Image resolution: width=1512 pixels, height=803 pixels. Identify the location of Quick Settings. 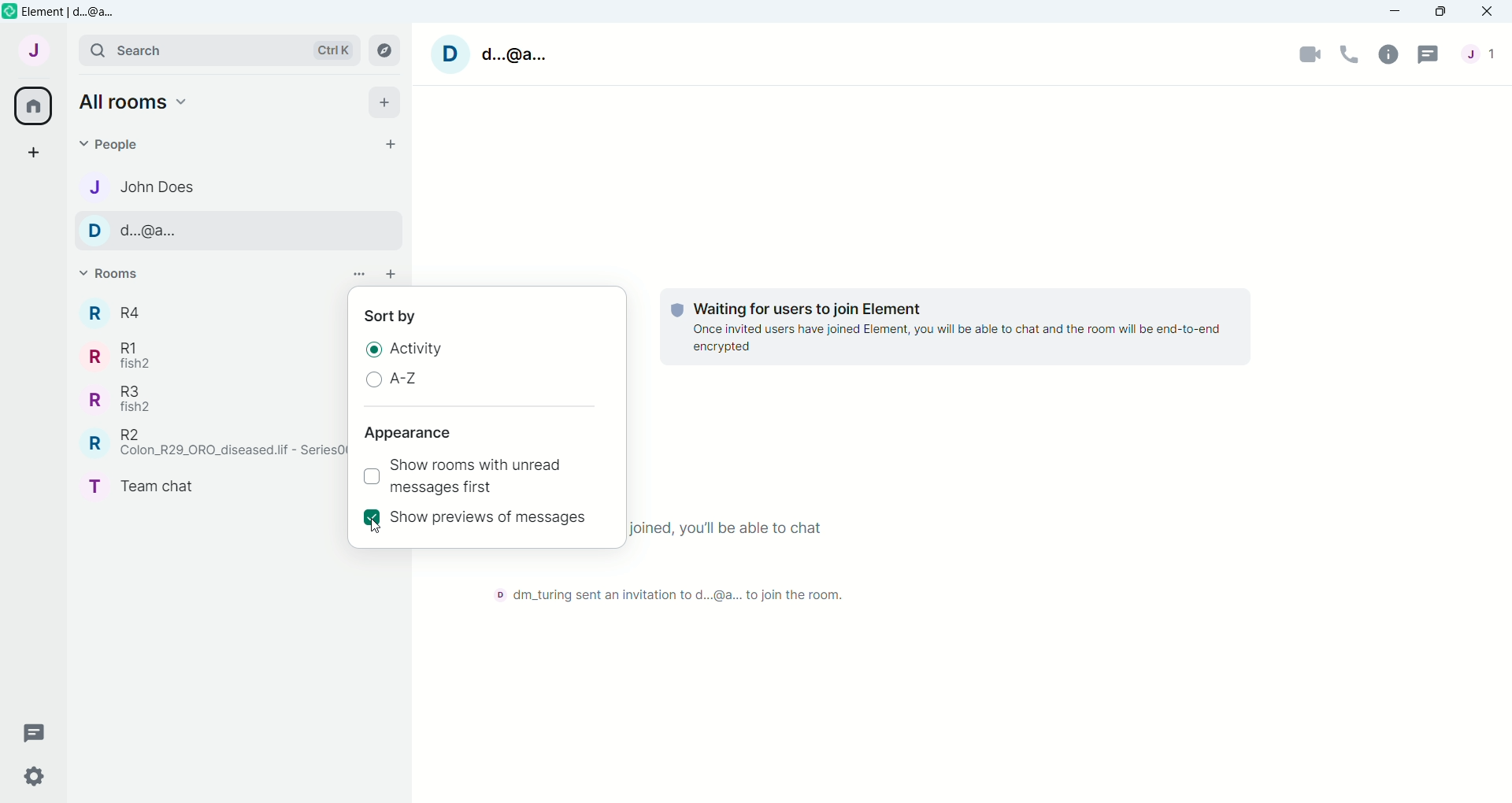
(35, 778).